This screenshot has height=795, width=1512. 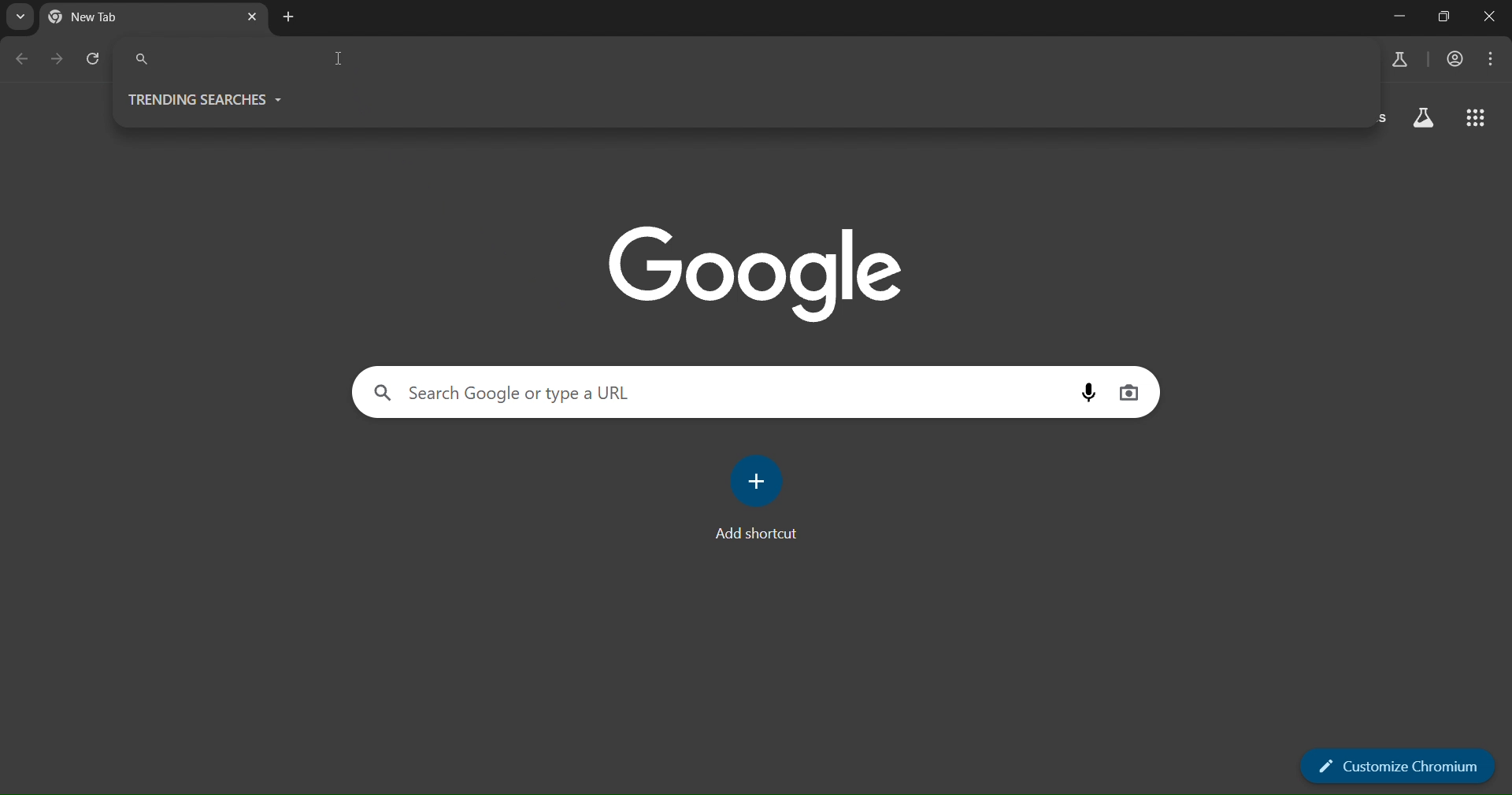 I want to click on go forward one page, so click(x=58, y=58).